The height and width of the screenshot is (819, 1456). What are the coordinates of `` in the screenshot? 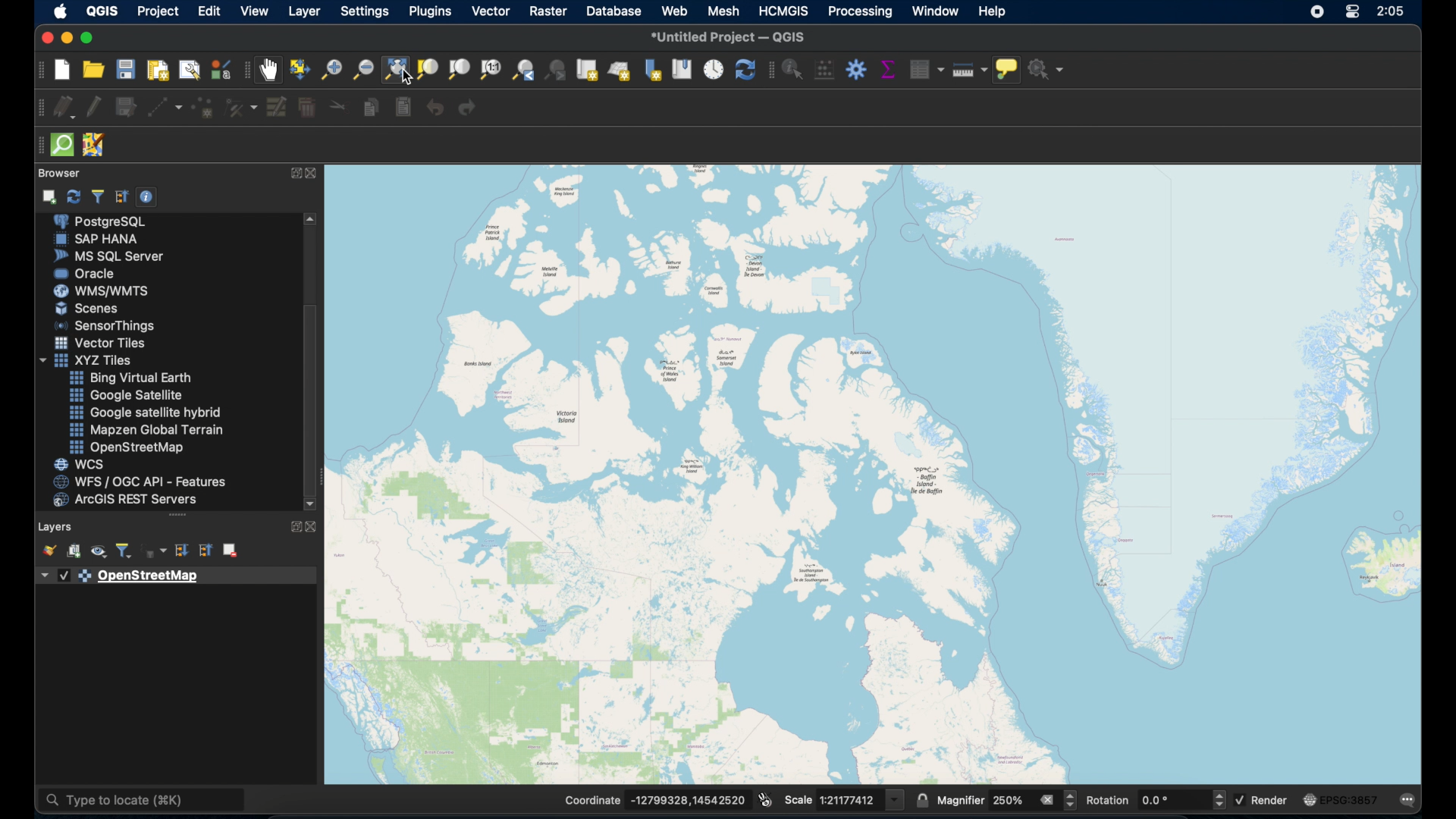 It's located at (276, 108).